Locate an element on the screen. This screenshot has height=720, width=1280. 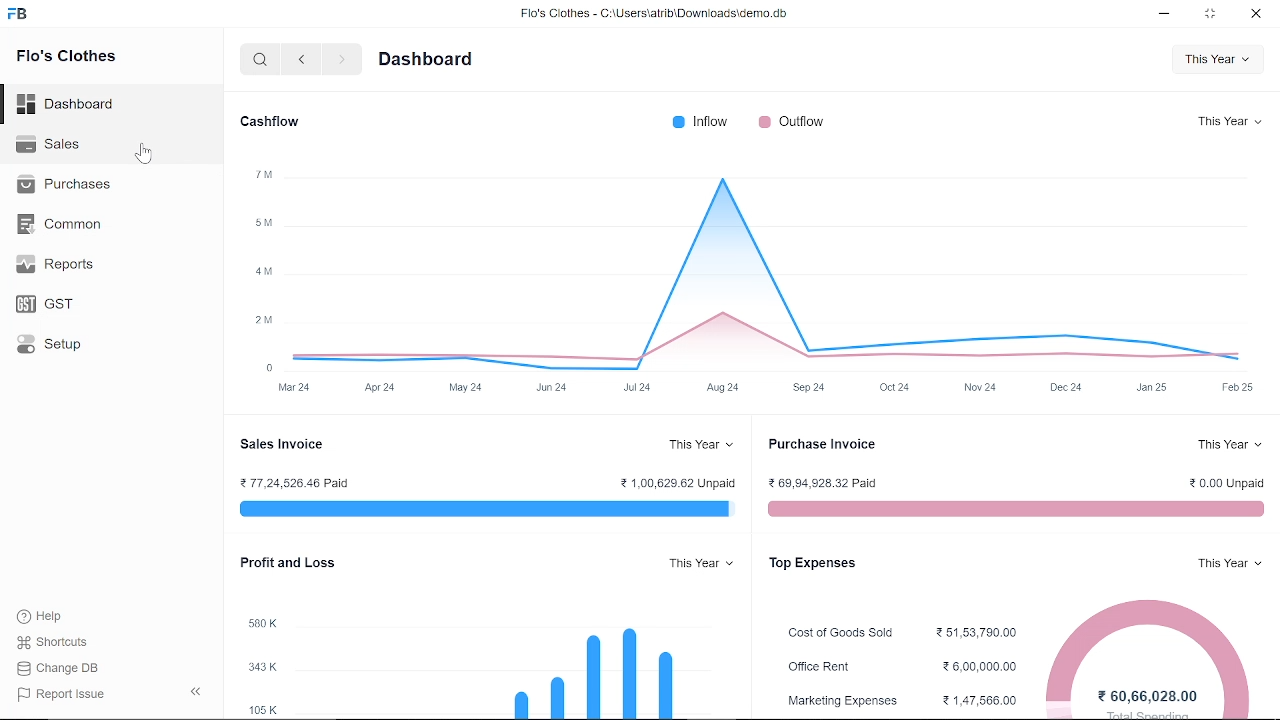
cursor is located at coordinates (142, 153).